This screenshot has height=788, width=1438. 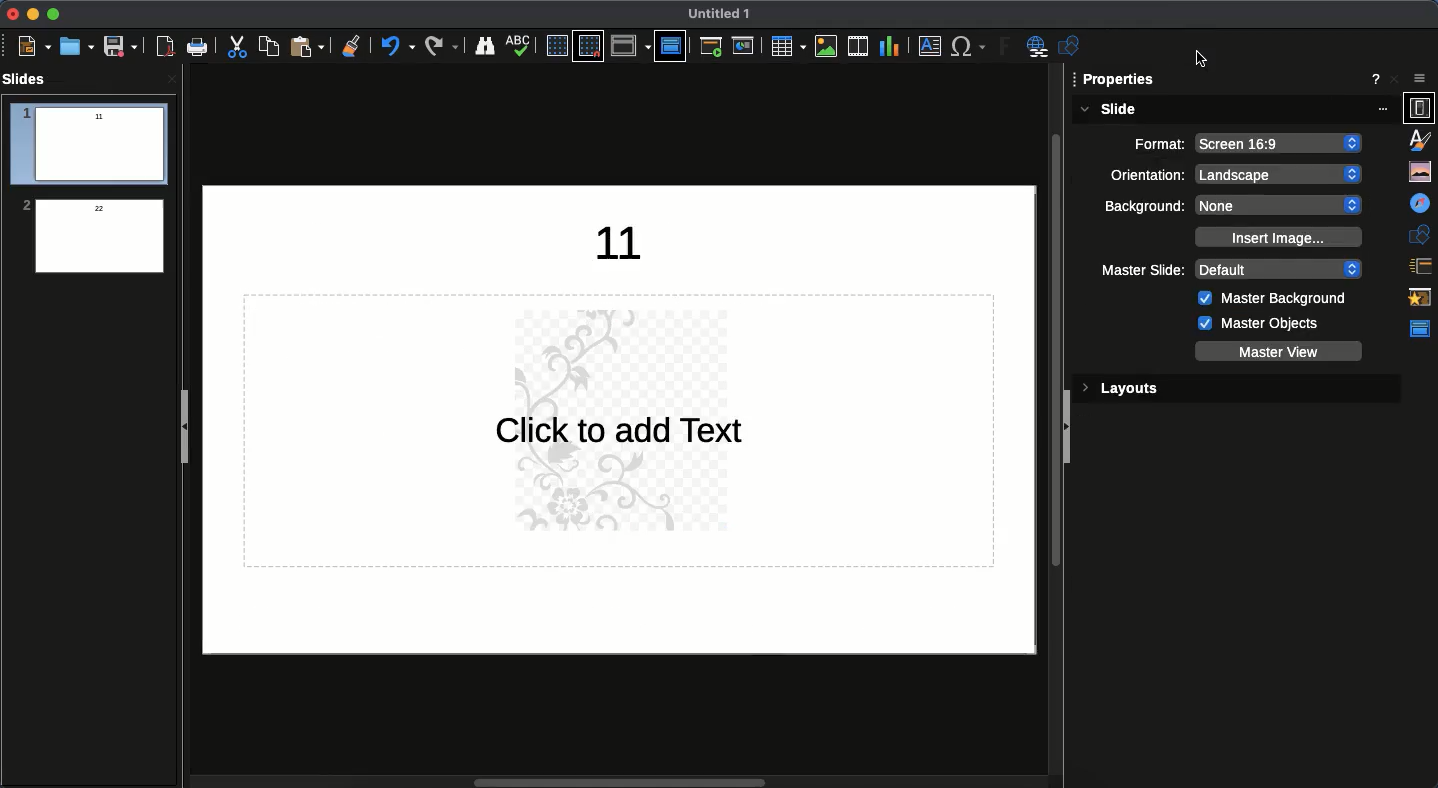 I want to click on Table, so click(x=786, y=46).